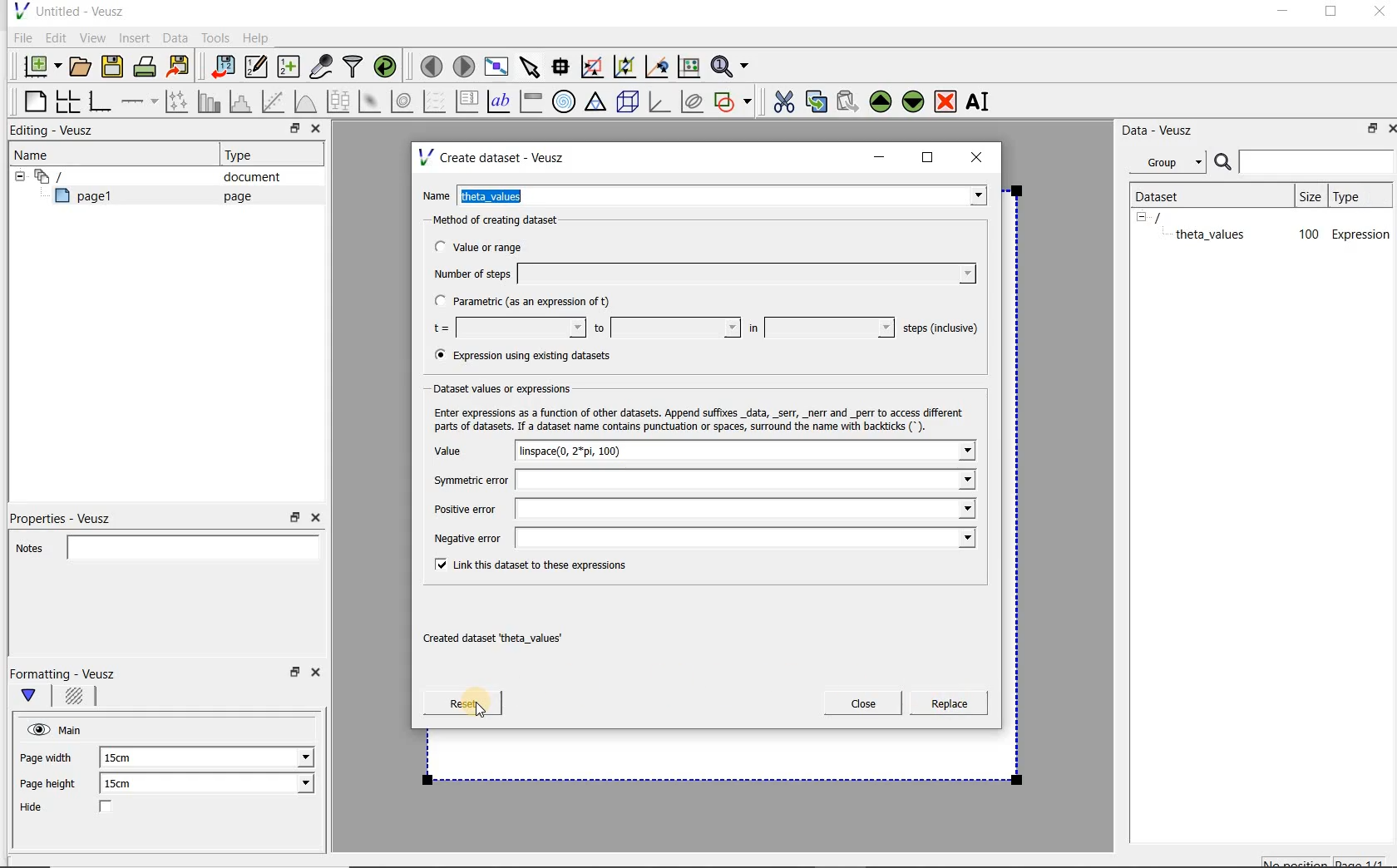 This screenshot has width=1397, height=868. What do you see at coordinates (295, 518) in the screenshot?
I see `restore down` at bounding box center [295, 518].